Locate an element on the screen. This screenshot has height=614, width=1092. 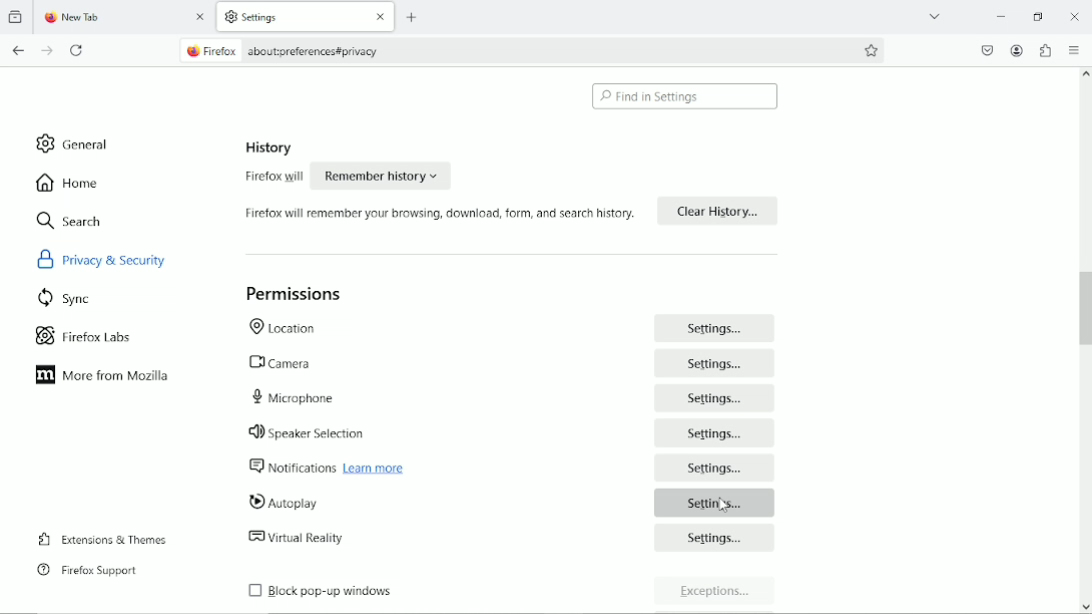
about:oreferences#privacy is located at coordinates (323, 51).